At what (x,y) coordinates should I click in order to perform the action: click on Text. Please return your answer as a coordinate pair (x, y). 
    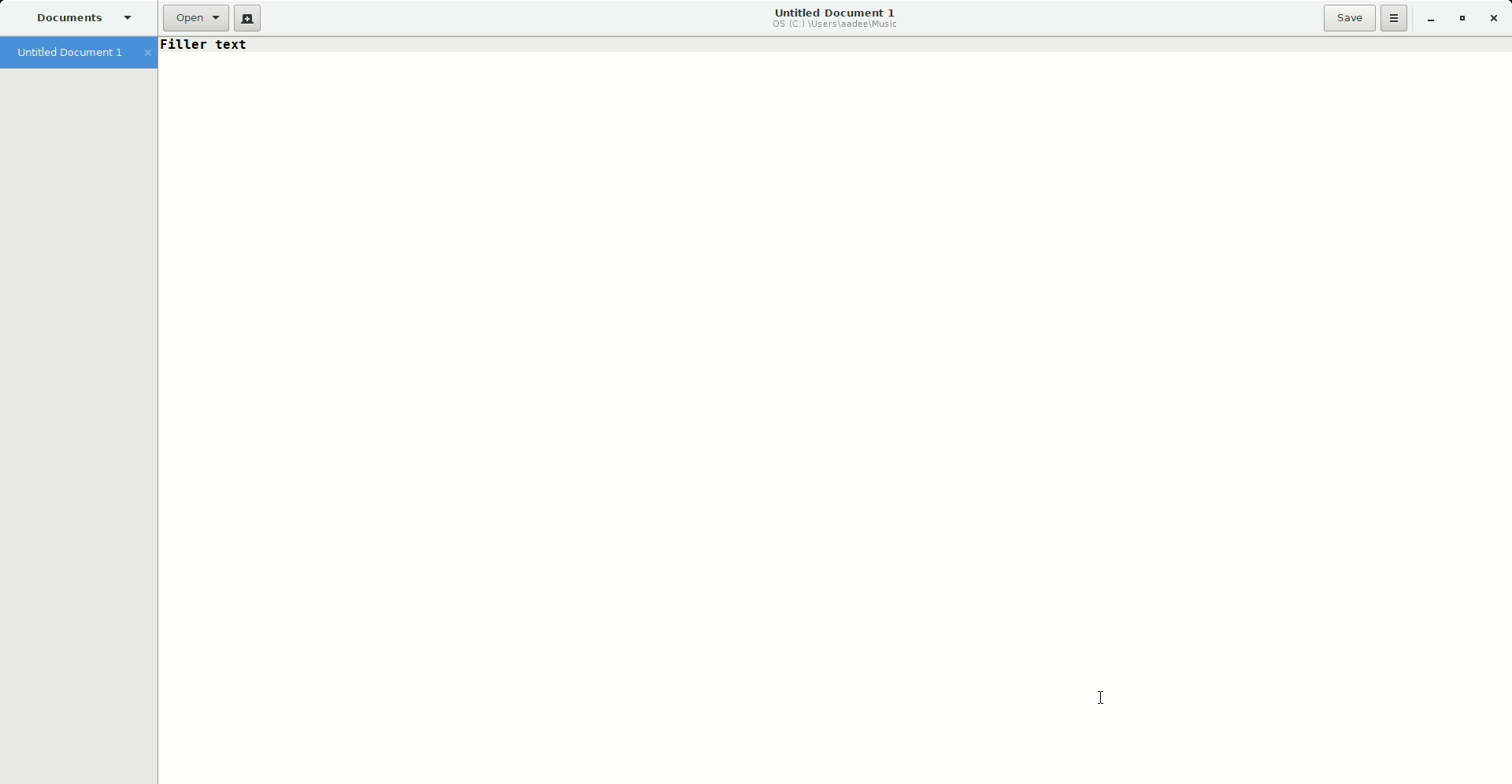
    Looking at the image, I should click on (204, 45).